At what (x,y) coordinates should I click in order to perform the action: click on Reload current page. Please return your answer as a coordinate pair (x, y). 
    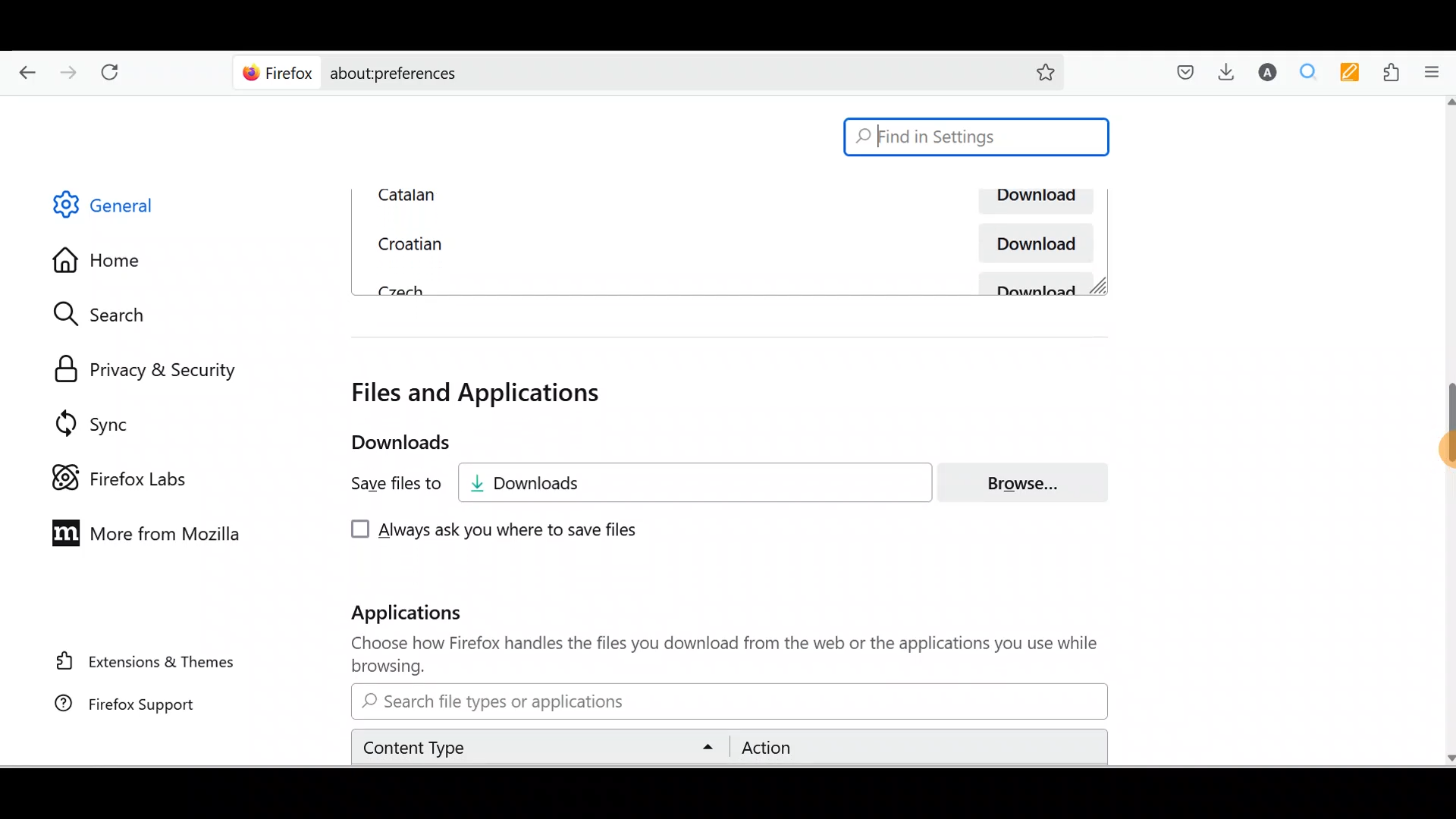
    Looking at the image, I should click on (119, 75).